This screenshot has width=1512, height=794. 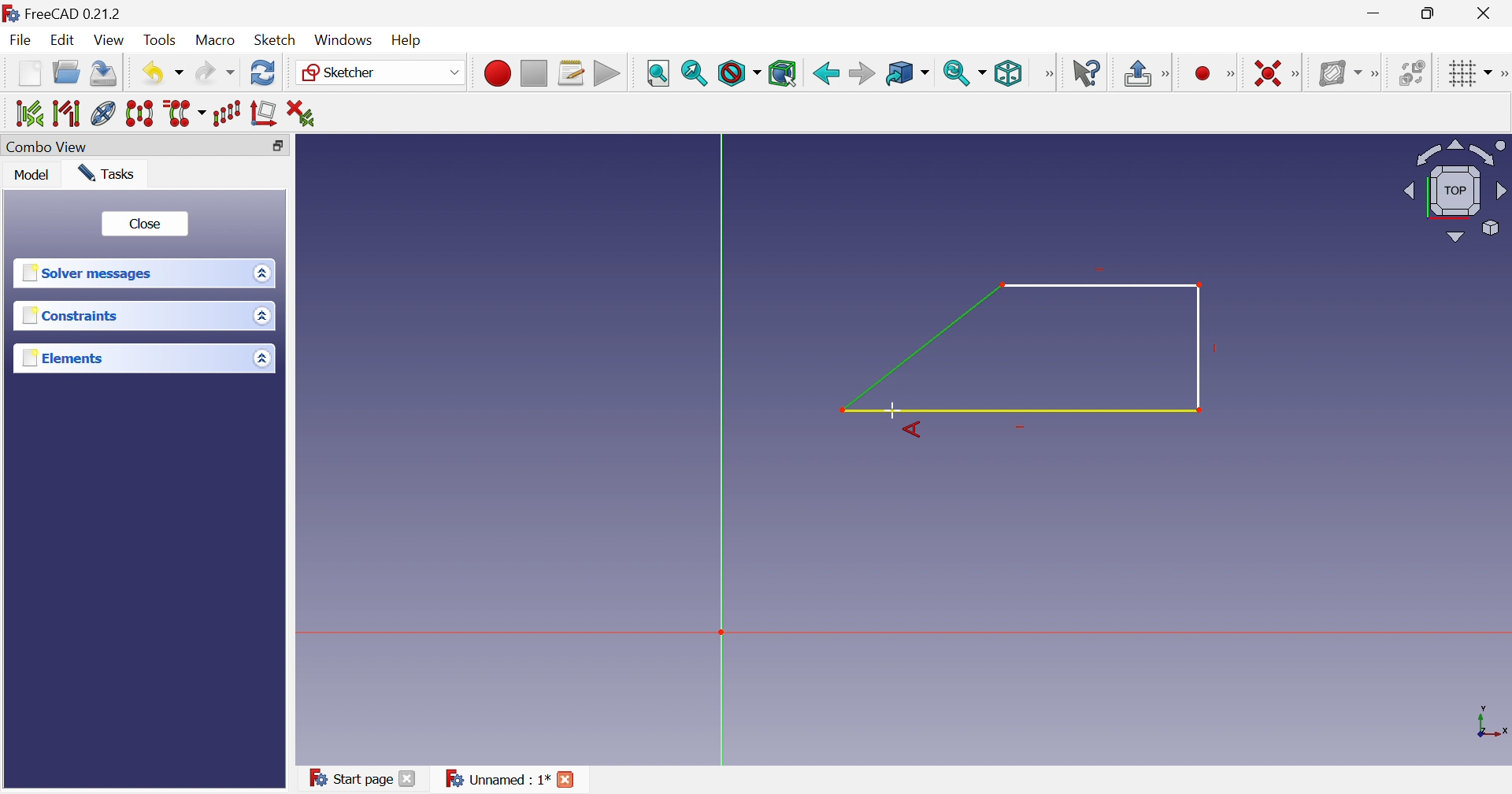 I want to click on More, so click(x=1048, y=73).